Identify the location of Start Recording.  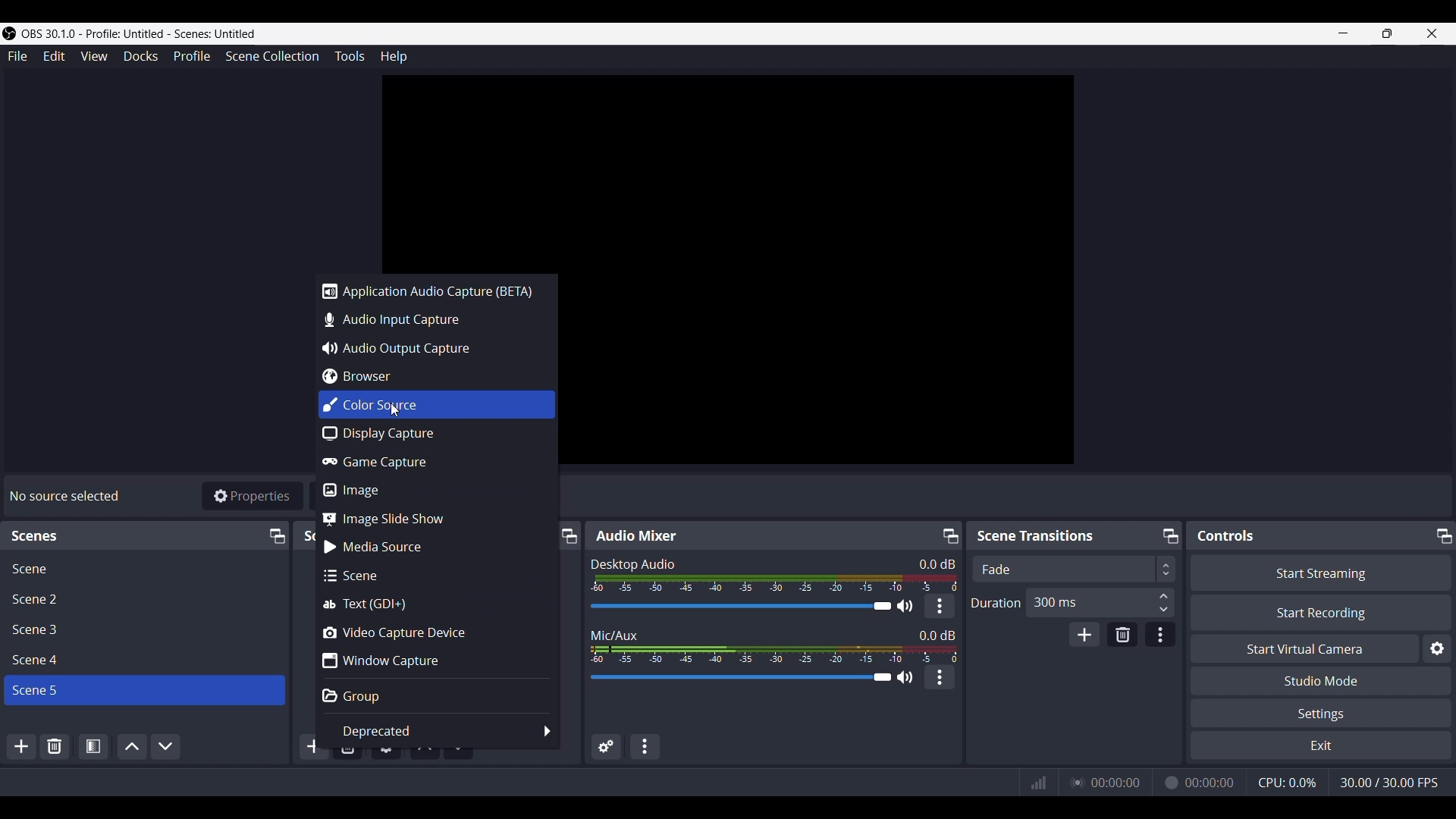
(1320, 612).